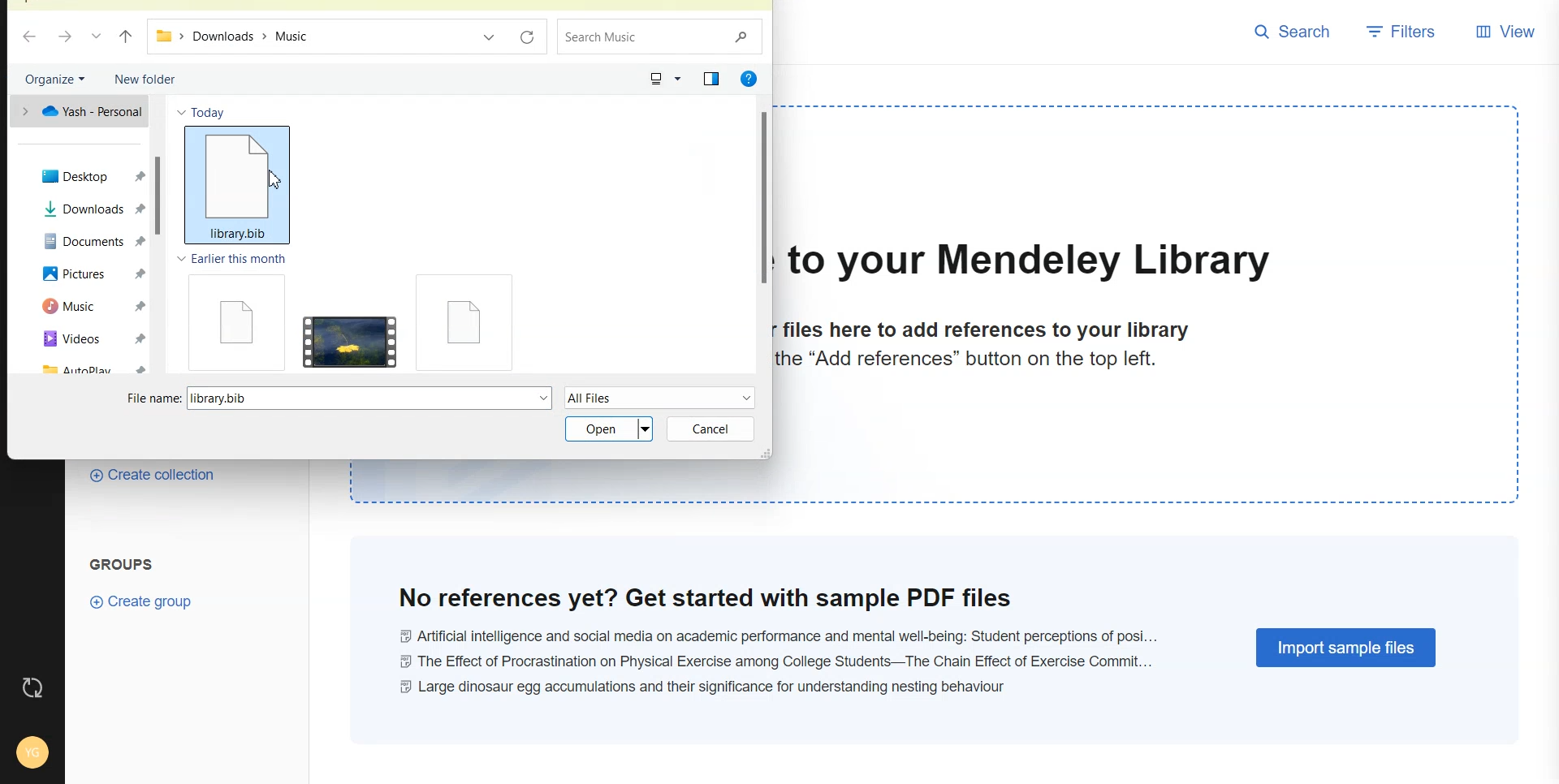 This screenshot has height=784, width=1559. I want to click on All Files, so click(660, 398).